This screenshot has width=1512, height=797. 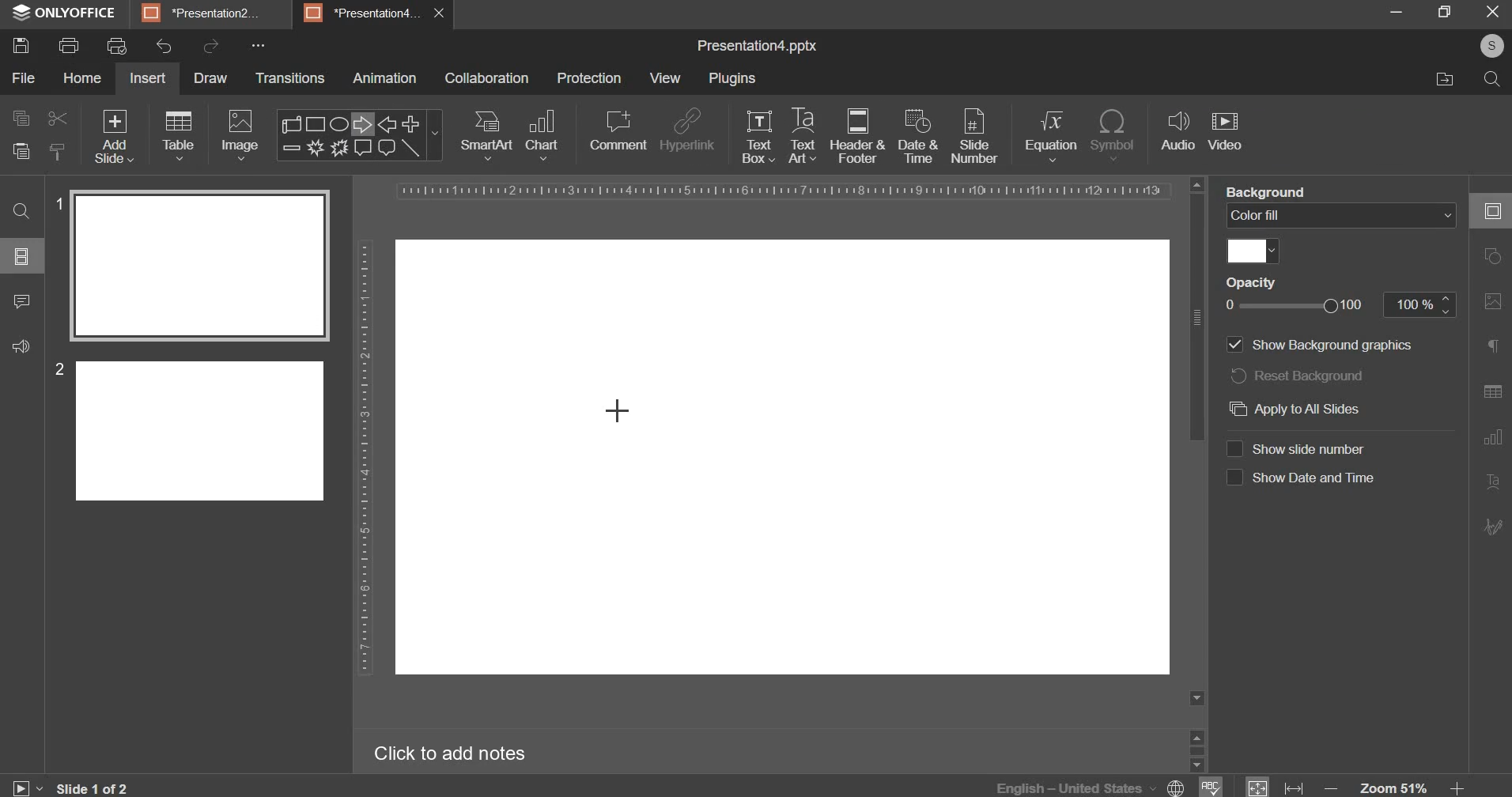 What do you see at coordinates (66, 13) in the screenshot?
I see `® ONLYOFFICE` at bounding box center [66, 13].